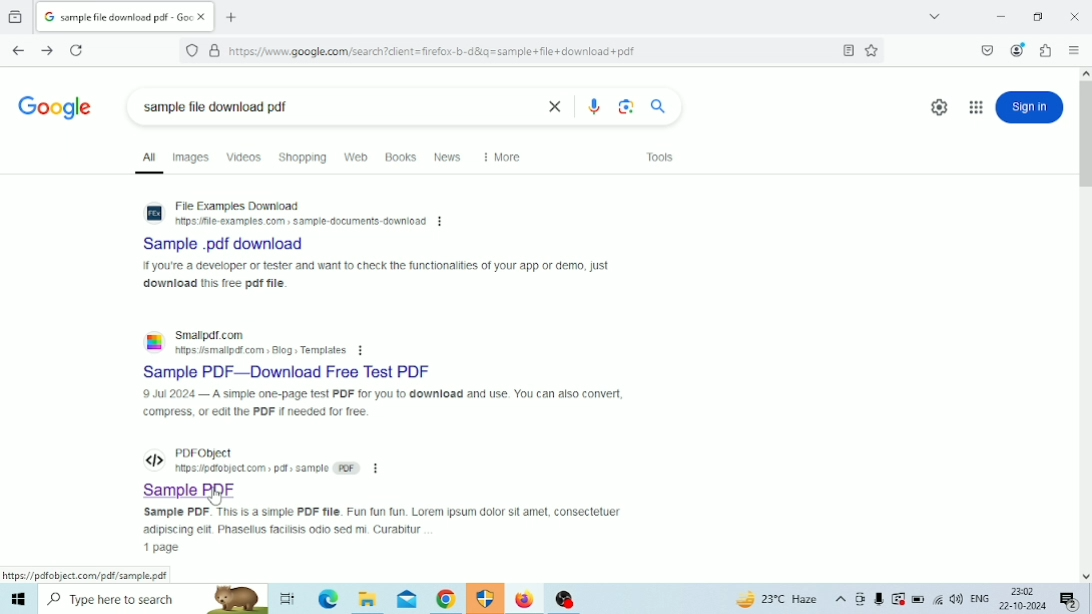  I want to click on website logo, so click(155, 459).